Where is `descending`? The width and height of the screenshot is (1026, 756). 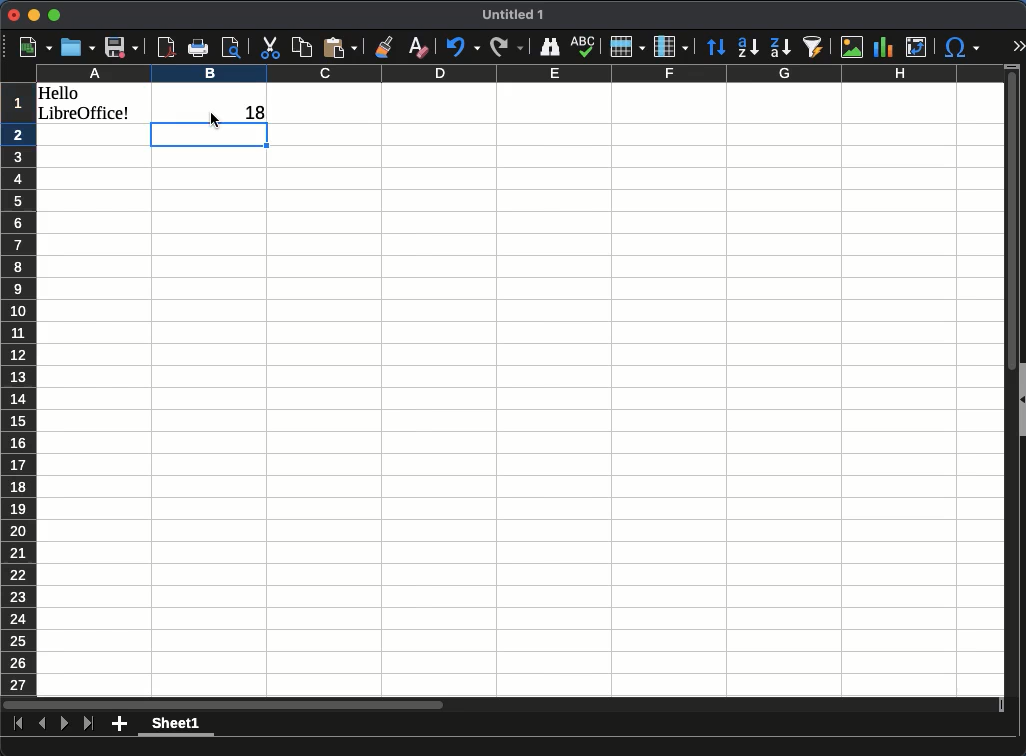
descending is located at coordinates (780, 47).